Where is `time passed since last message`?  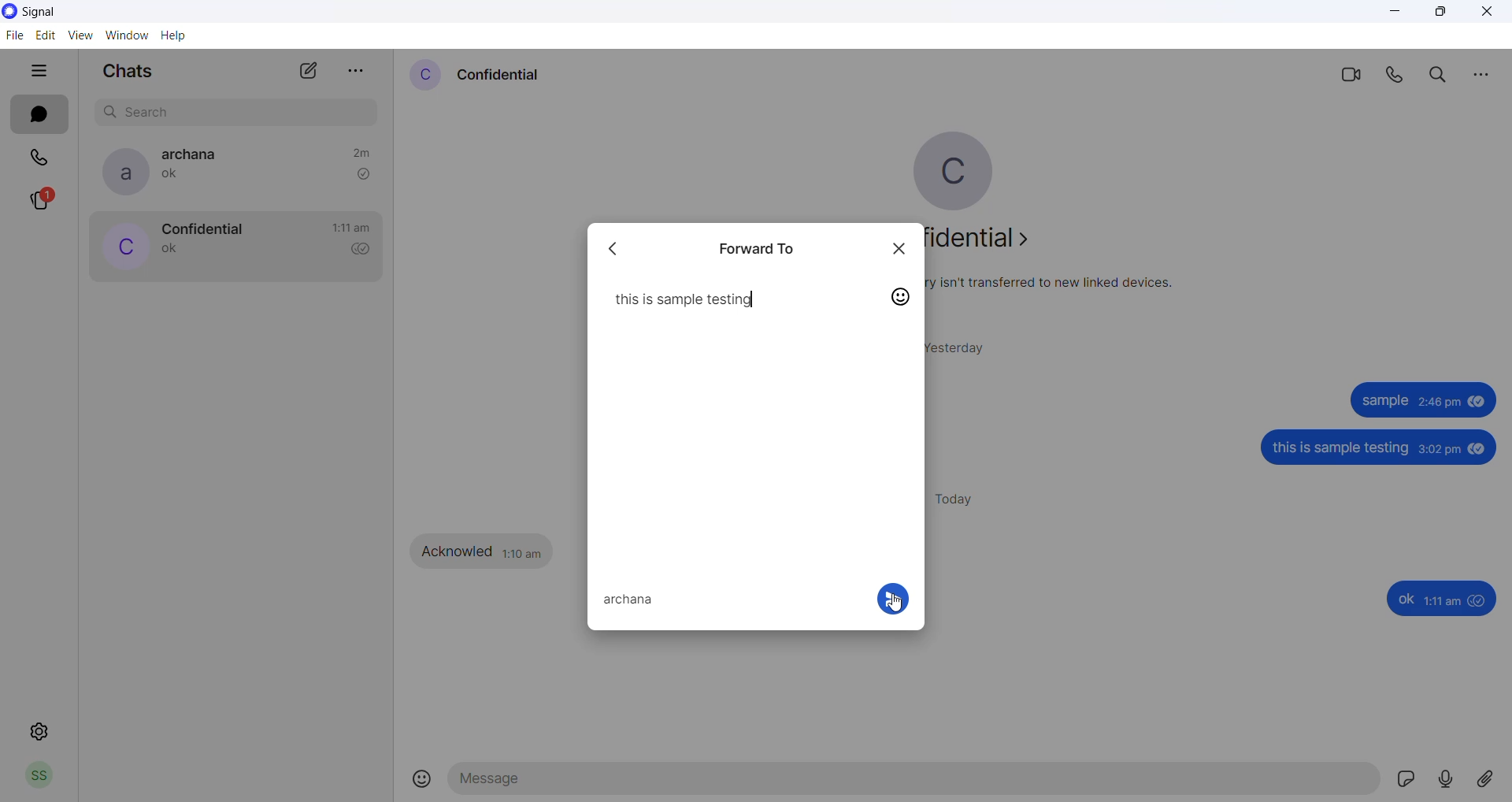 time passed since last message is located at coordinates (361, 150).